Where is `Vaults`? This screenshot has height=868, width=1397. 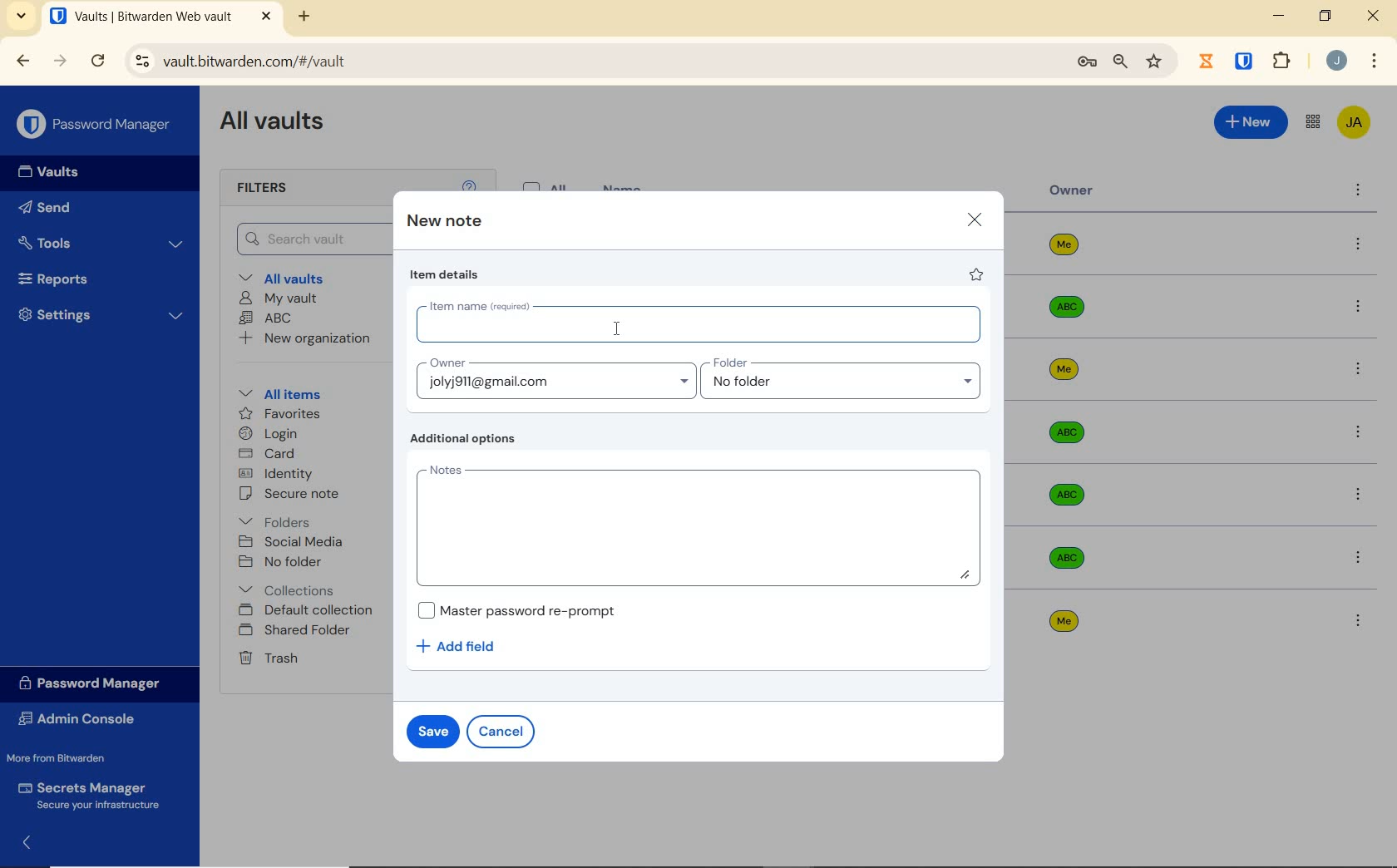 Vaults is located at coordinates (57, 174).